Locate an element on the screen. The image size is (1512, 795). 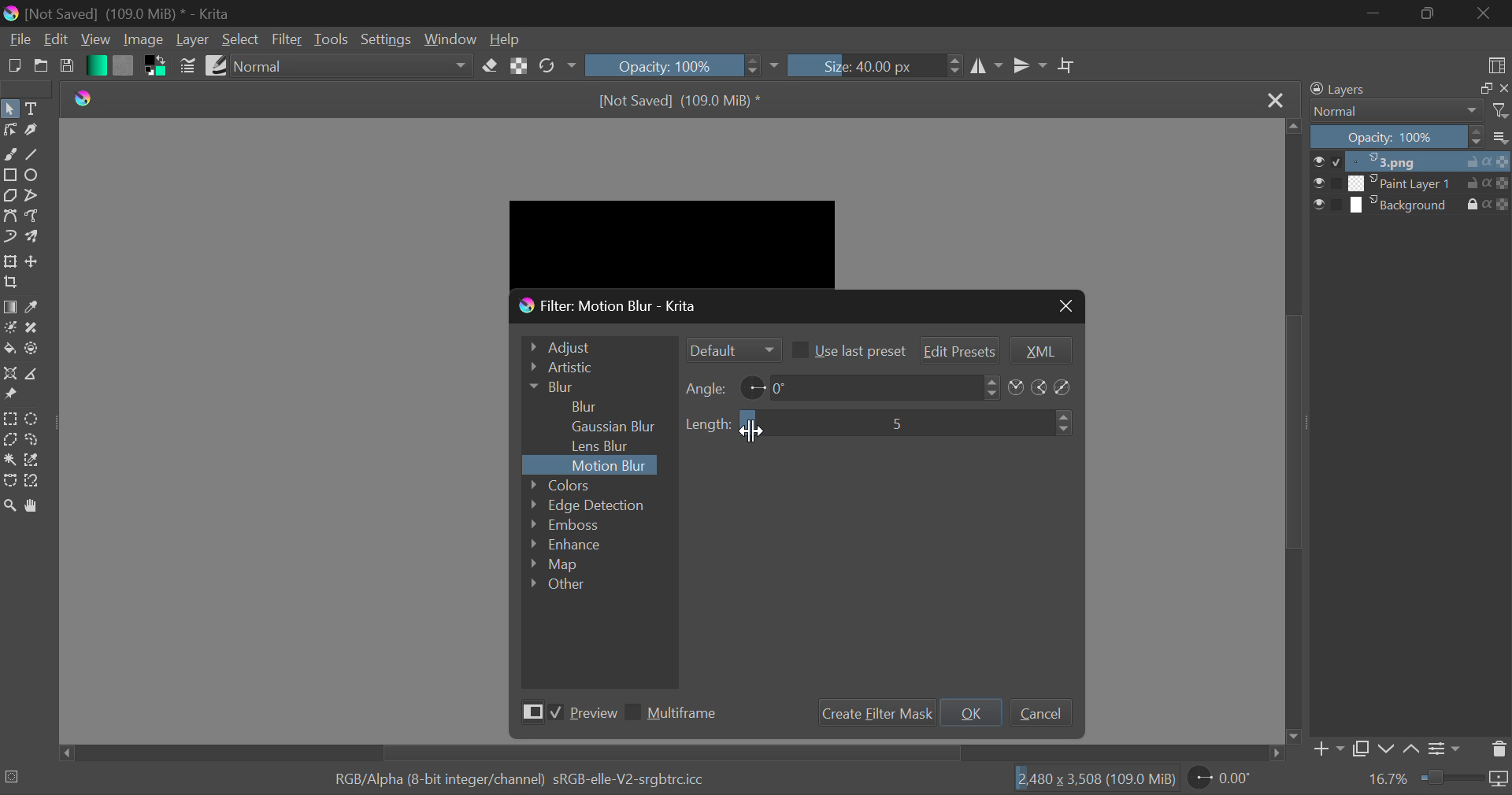
normal is located at coordinates (351, 65).